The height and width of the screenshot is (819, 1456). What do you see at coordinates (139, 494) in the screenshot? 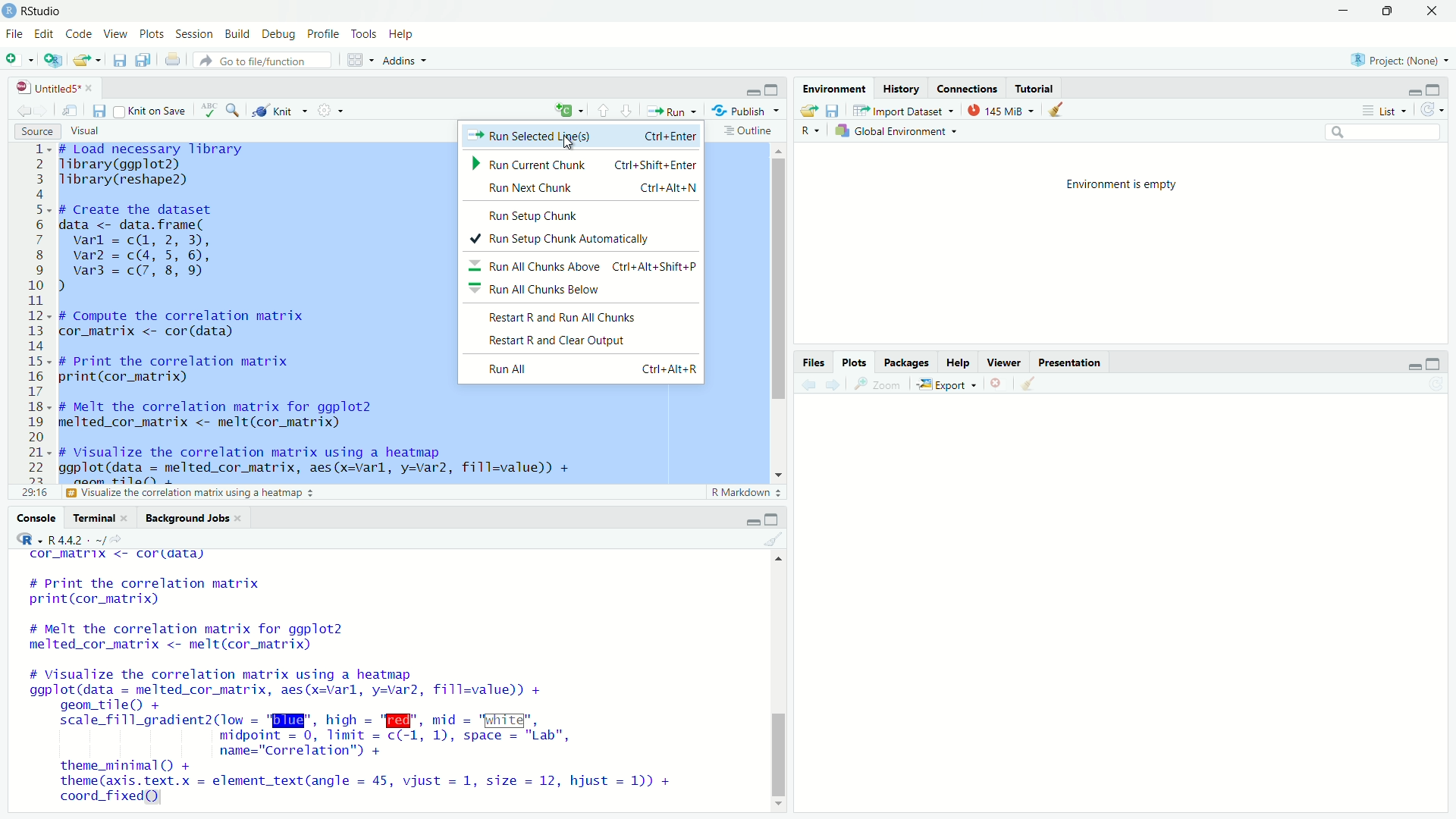
I see `print the correlation matrix` at bounding box center [139, 494].